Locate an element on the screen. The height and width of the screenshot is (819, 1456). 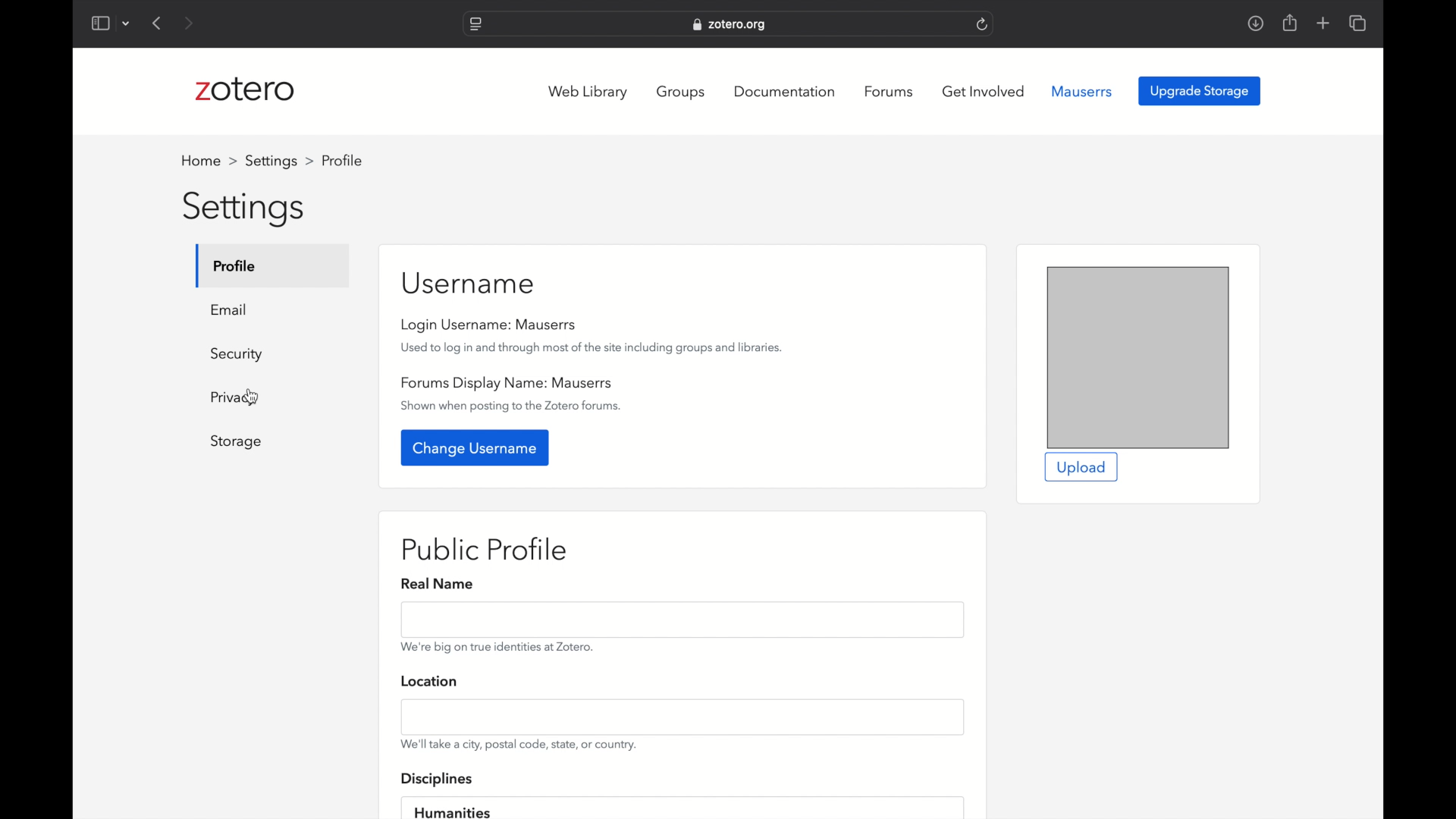
email is located at coordinates (229, 309).